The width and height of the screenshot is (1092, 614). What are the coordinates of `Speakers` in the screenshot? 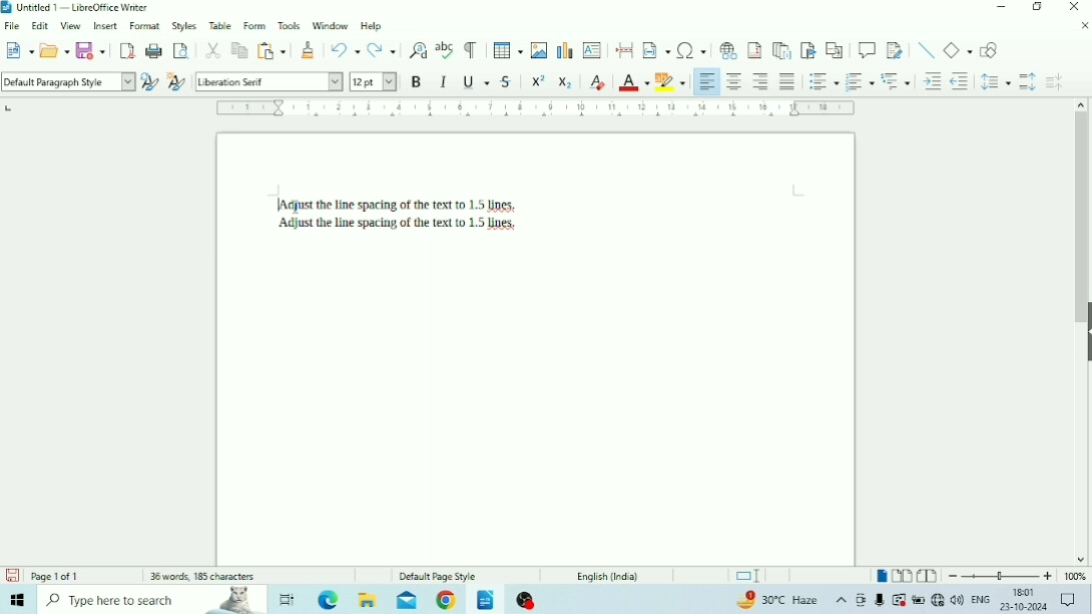 It's located at (957, 600).